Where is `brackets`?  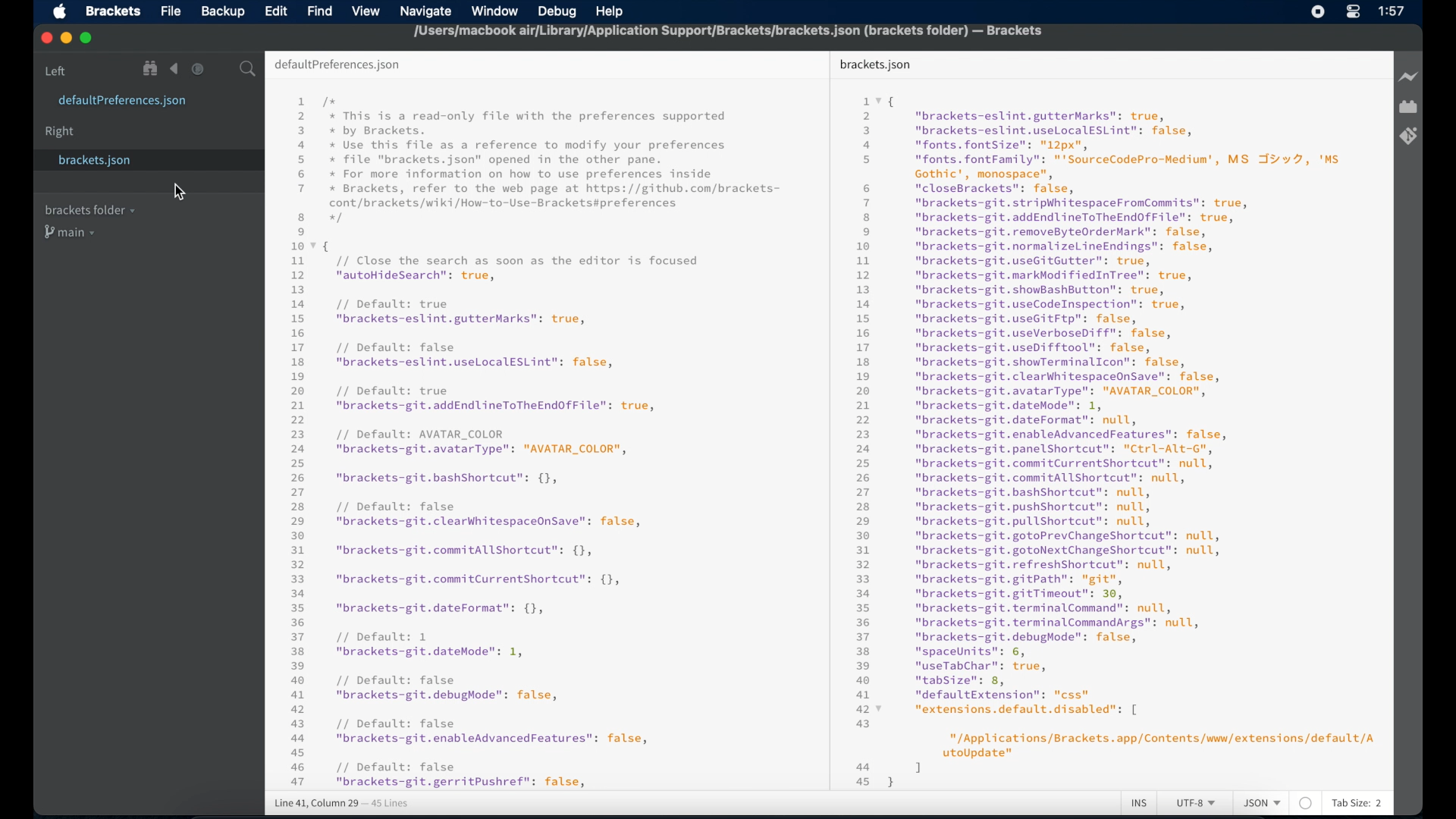 brackets is located at coordinates (114, 11).